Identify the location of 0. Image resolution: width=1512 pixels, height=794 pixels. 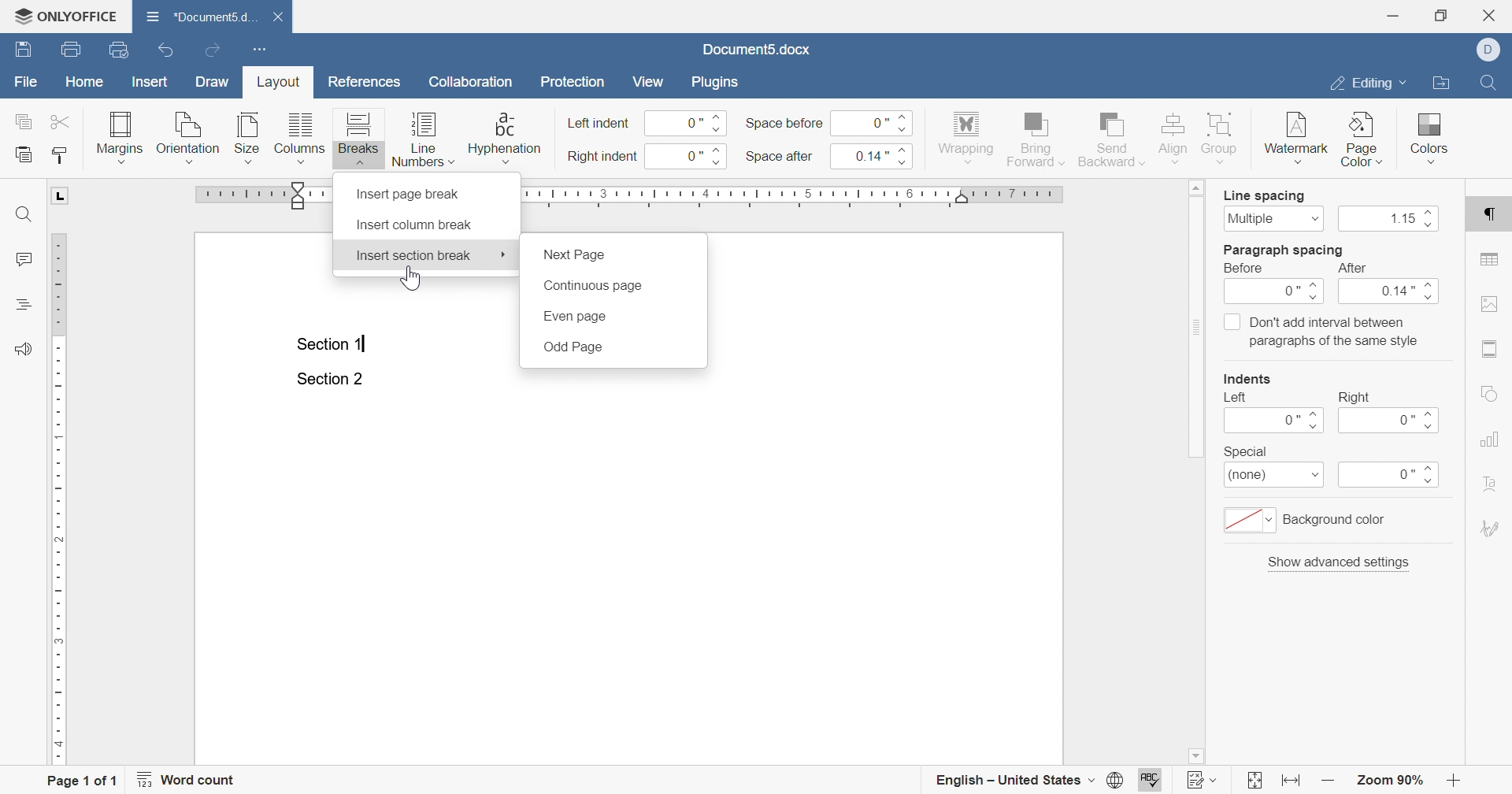
(689, 123).